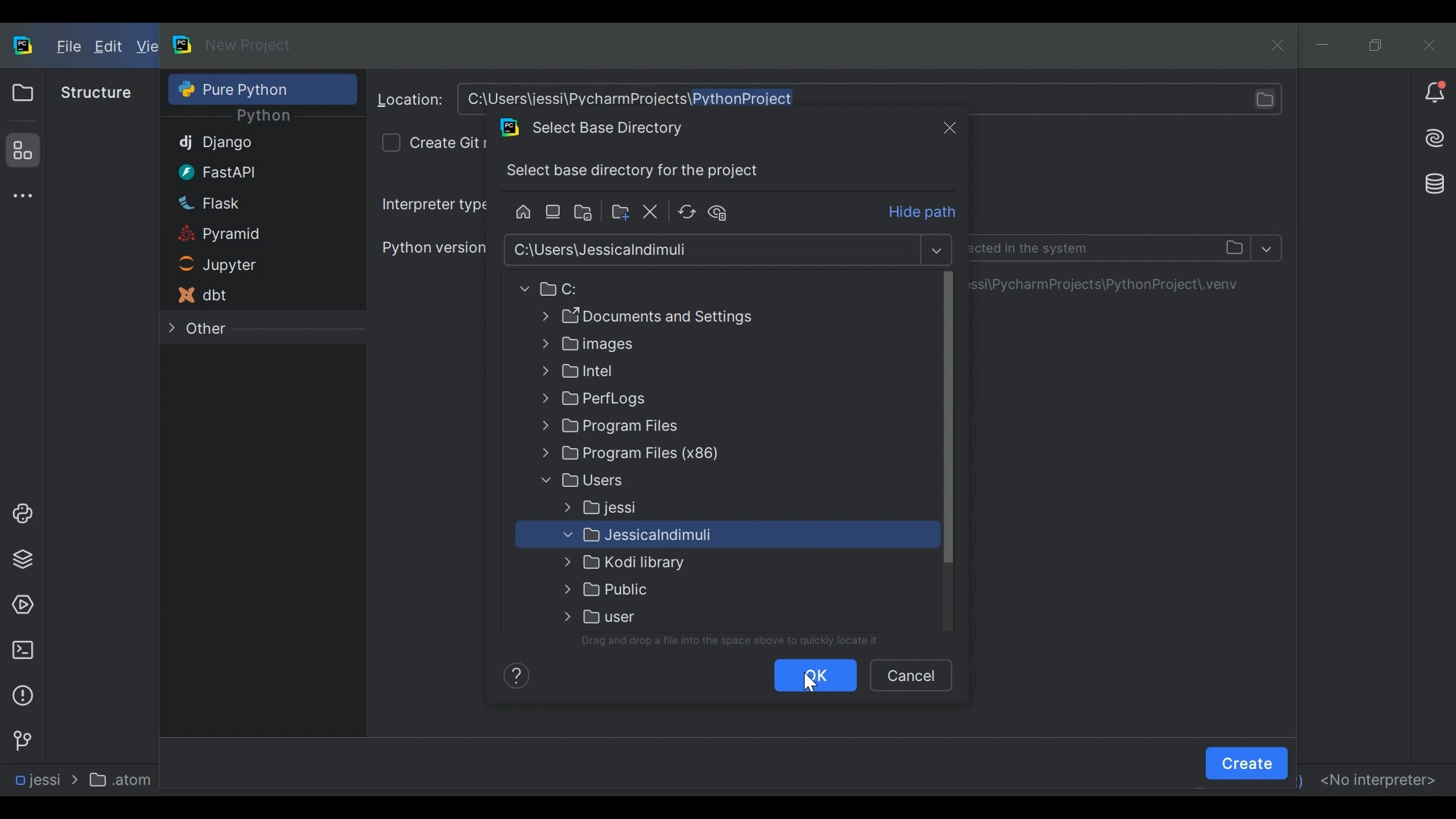 The image size is (1456, 819). What do you see at coordinates (241, 171) in the screenshot?
I see `FastAPI` at bounding box center [241, 171].